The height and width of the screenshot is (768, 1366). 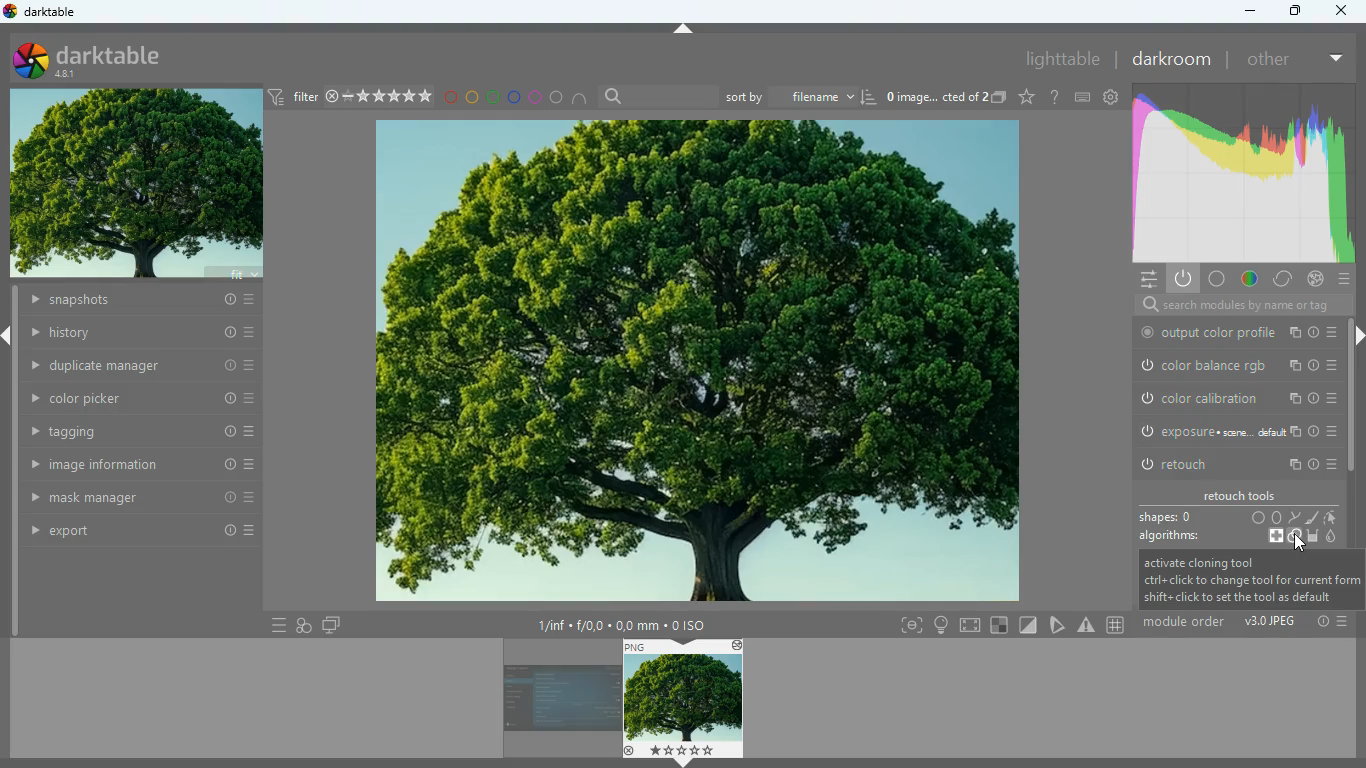 I want to click on fill, so click(x=1313, y=535).